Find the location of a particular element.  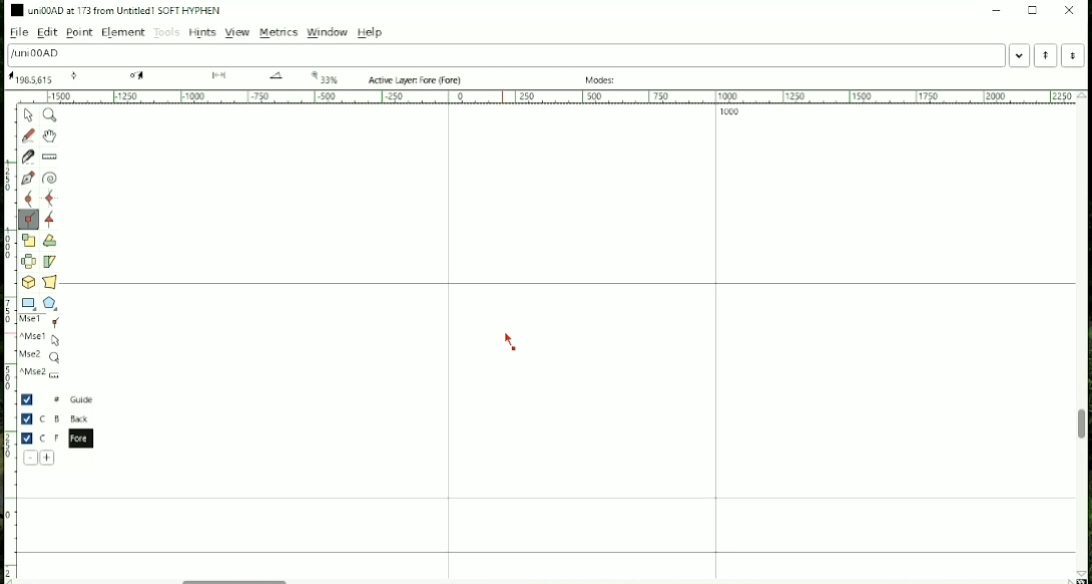

Mse1 is located at coordinates (43, 322).